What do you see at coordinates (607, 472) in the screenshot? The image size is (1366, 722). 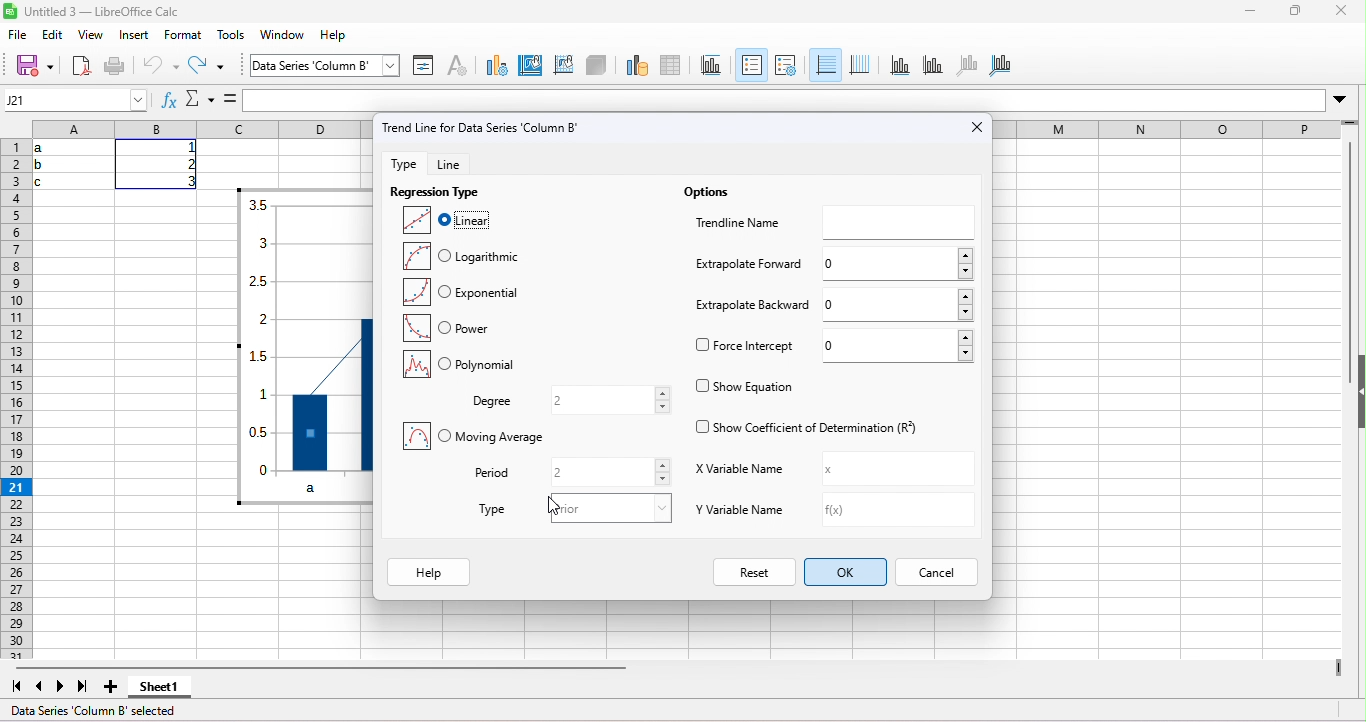 I see `2` at bounding box center [607, 472].